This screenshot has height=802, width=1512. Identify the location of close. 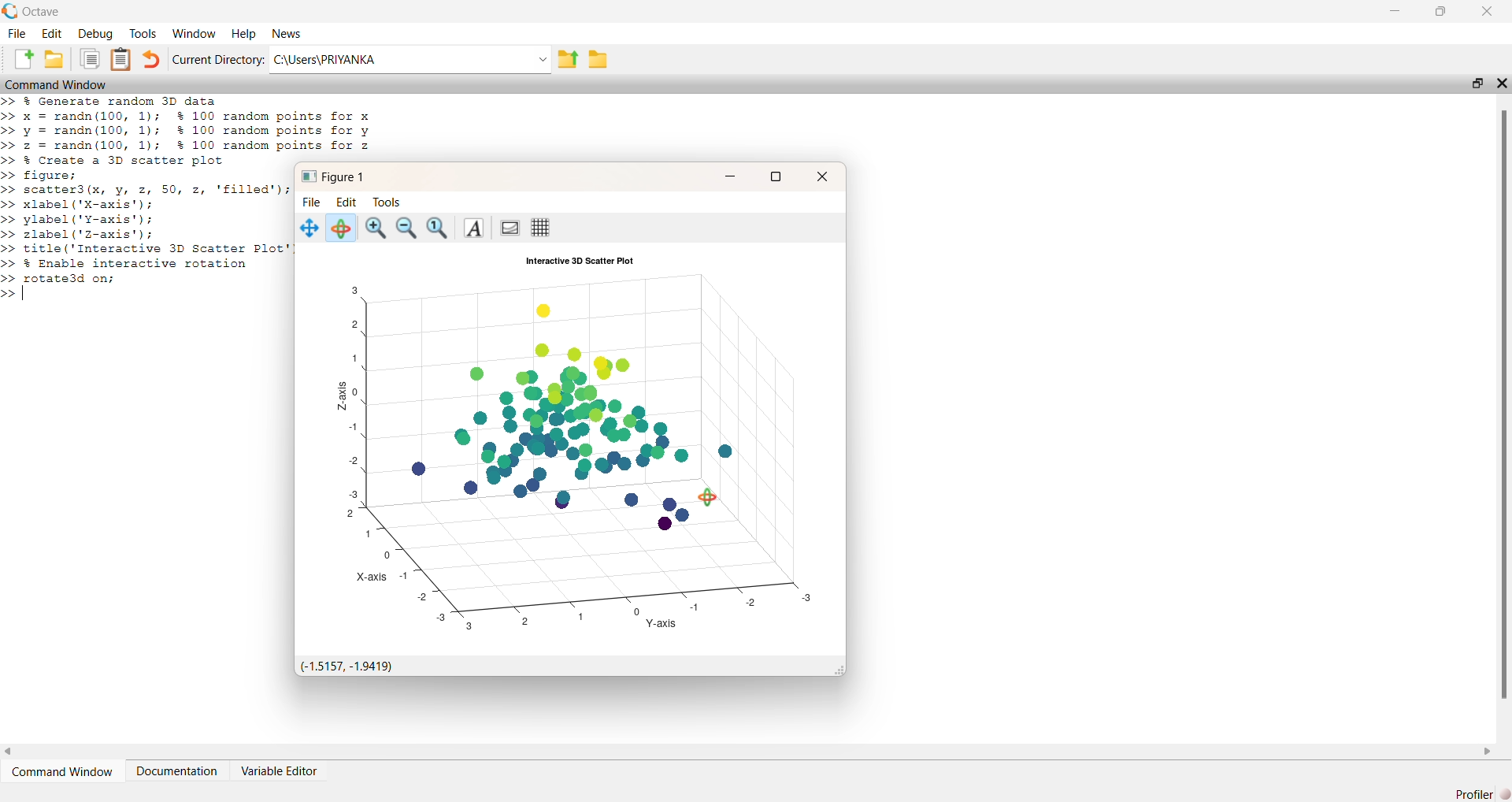
(1502, 83).